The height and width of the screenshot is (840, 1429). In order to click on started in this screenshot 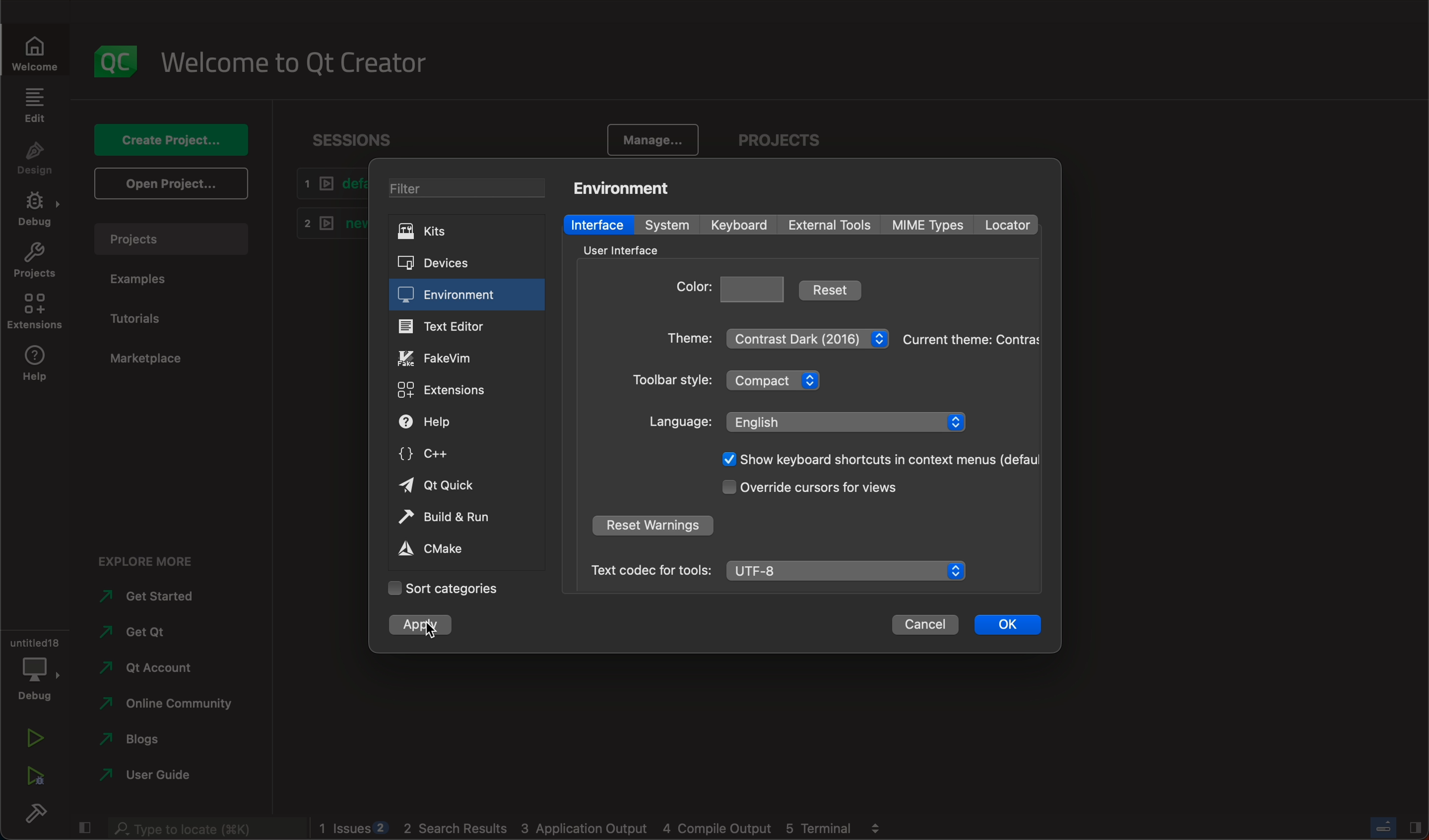, I will do `click(153, 596)`.